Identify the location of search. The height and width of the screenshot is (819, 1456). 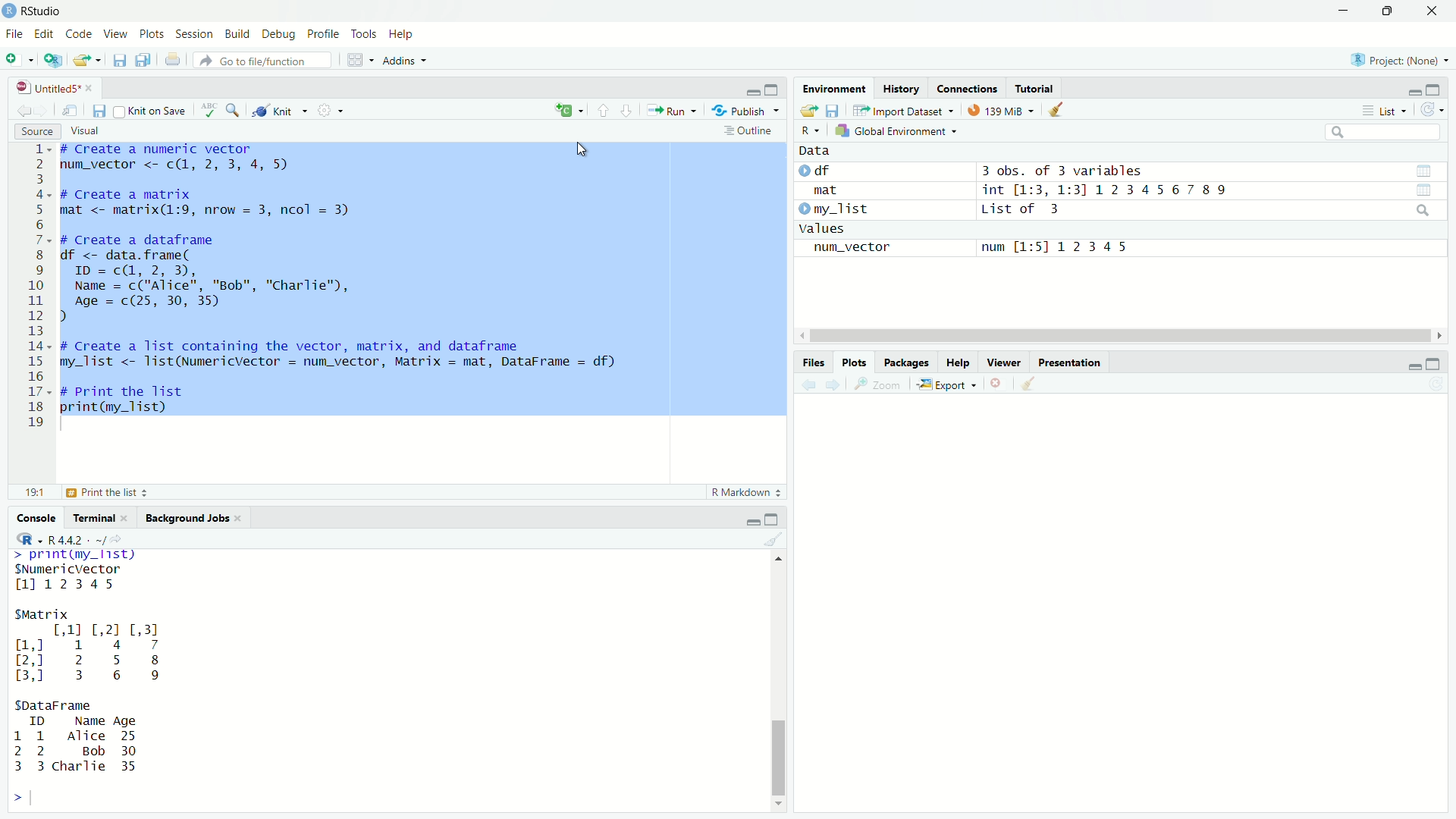
(235, 111).